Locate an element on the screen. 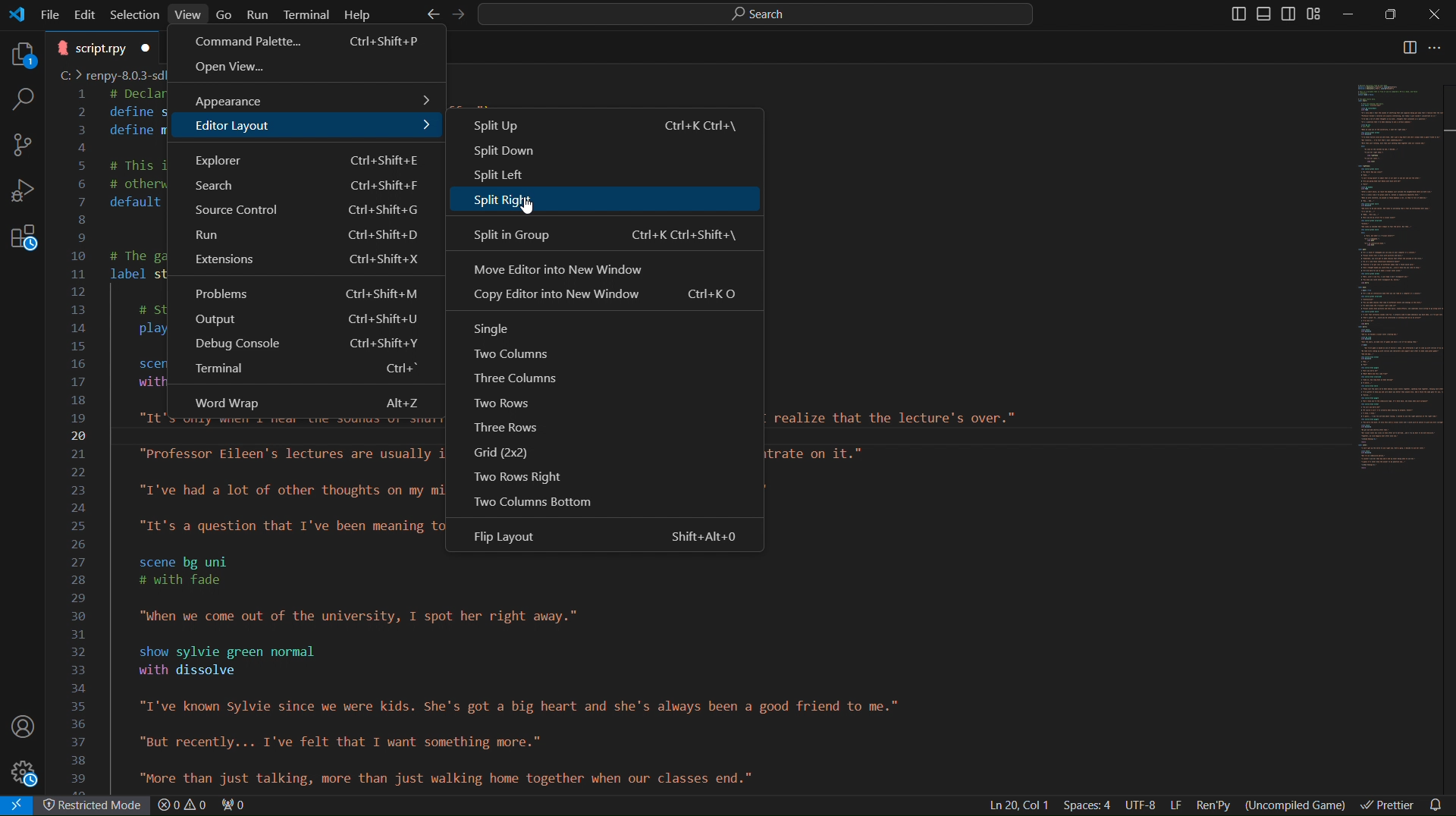 This screenshot has width=1456, height=816. File is located at coordinates (52, 13).